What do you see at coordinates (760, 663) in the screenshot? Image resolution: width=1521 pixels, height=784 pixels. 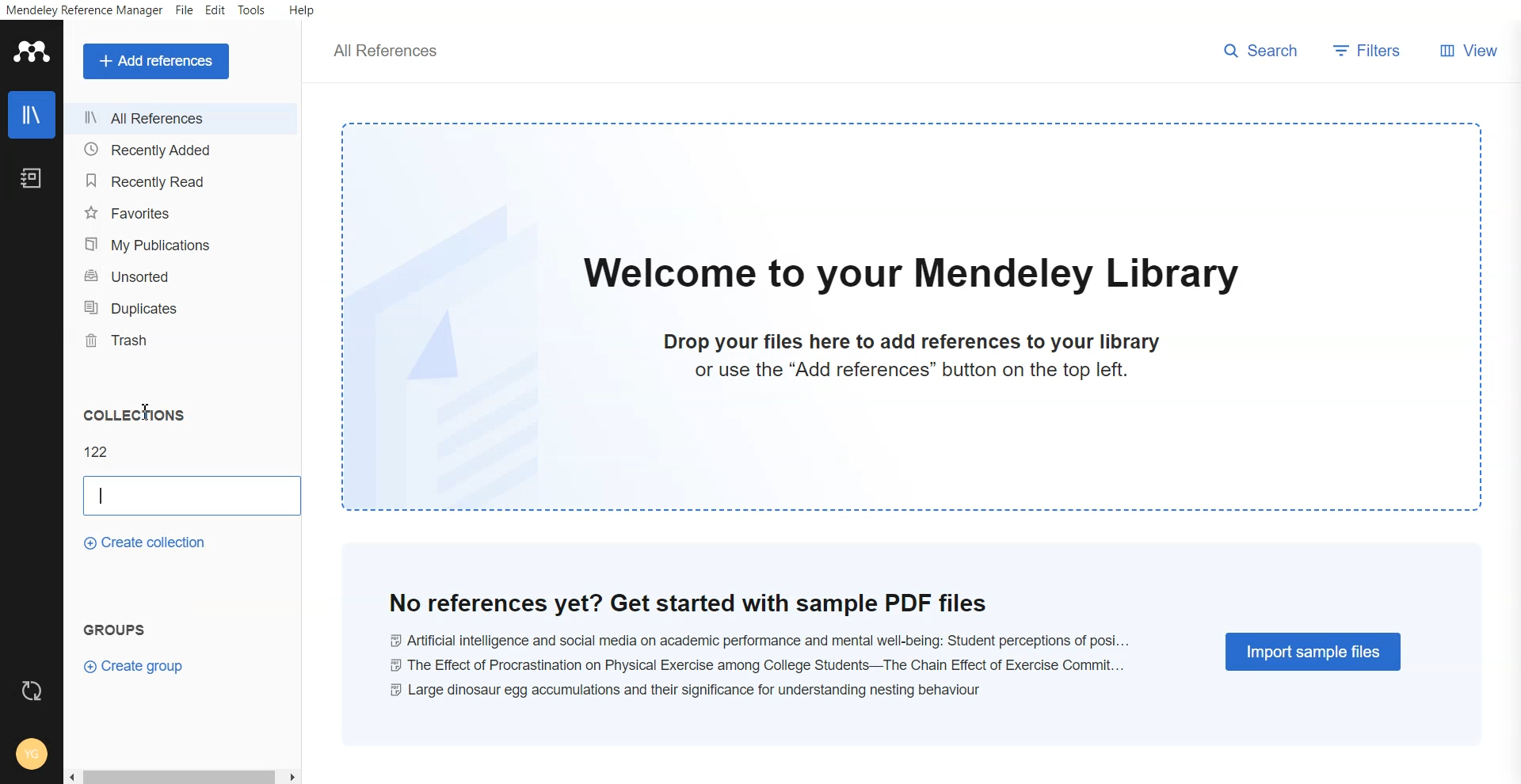 I see `the effect of procrastination on physical exercise among college students-- the chain effect of excercise commit...` at bounding box center [760, 663].